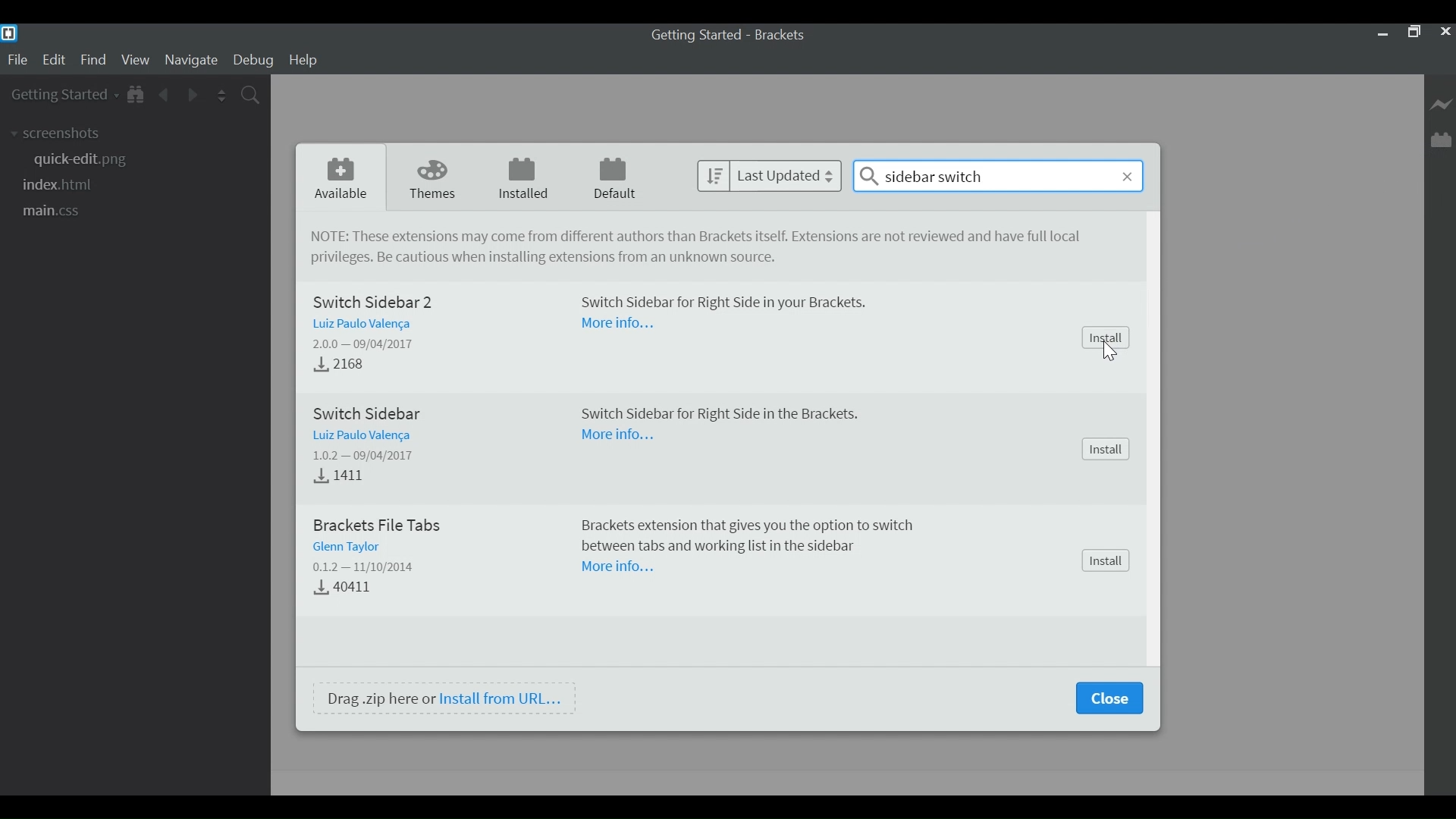 The height and width of the screenshot is (819, 1456). What do you see at coordinates (372, 455) in the screenshot?
I see `Version - Released Dtae` at bounding box center [372, 455].